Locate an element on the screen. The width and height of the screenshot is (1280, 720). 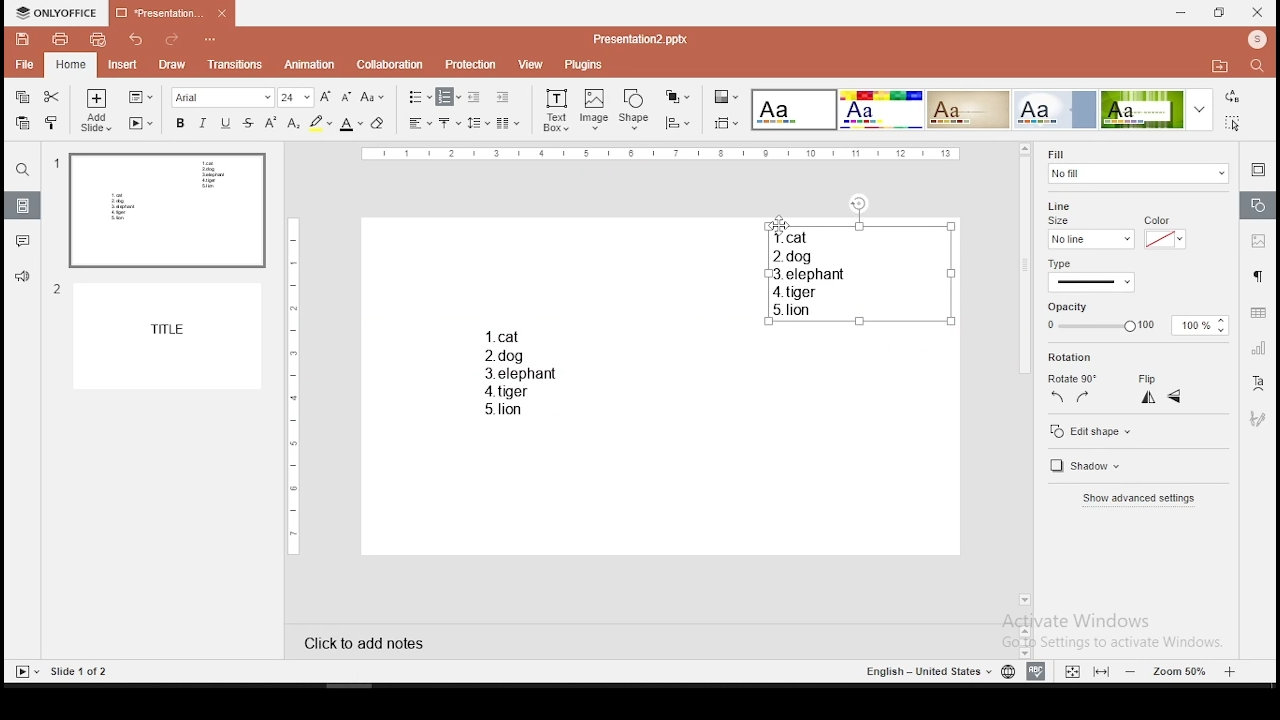
strikethrough is located at coordinates (248, 123).